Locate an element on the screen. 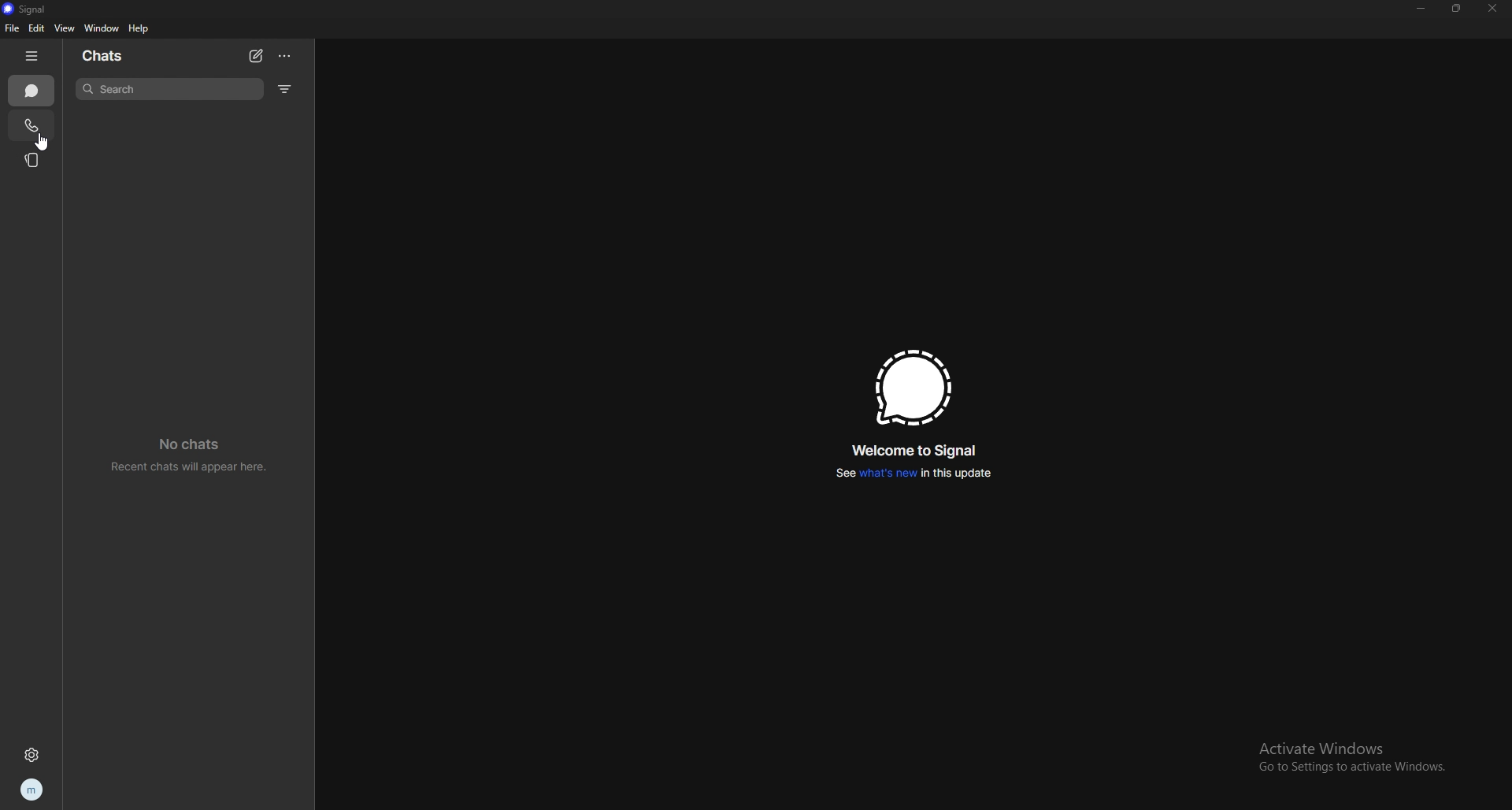  chats is located at coordinates (113, 57).